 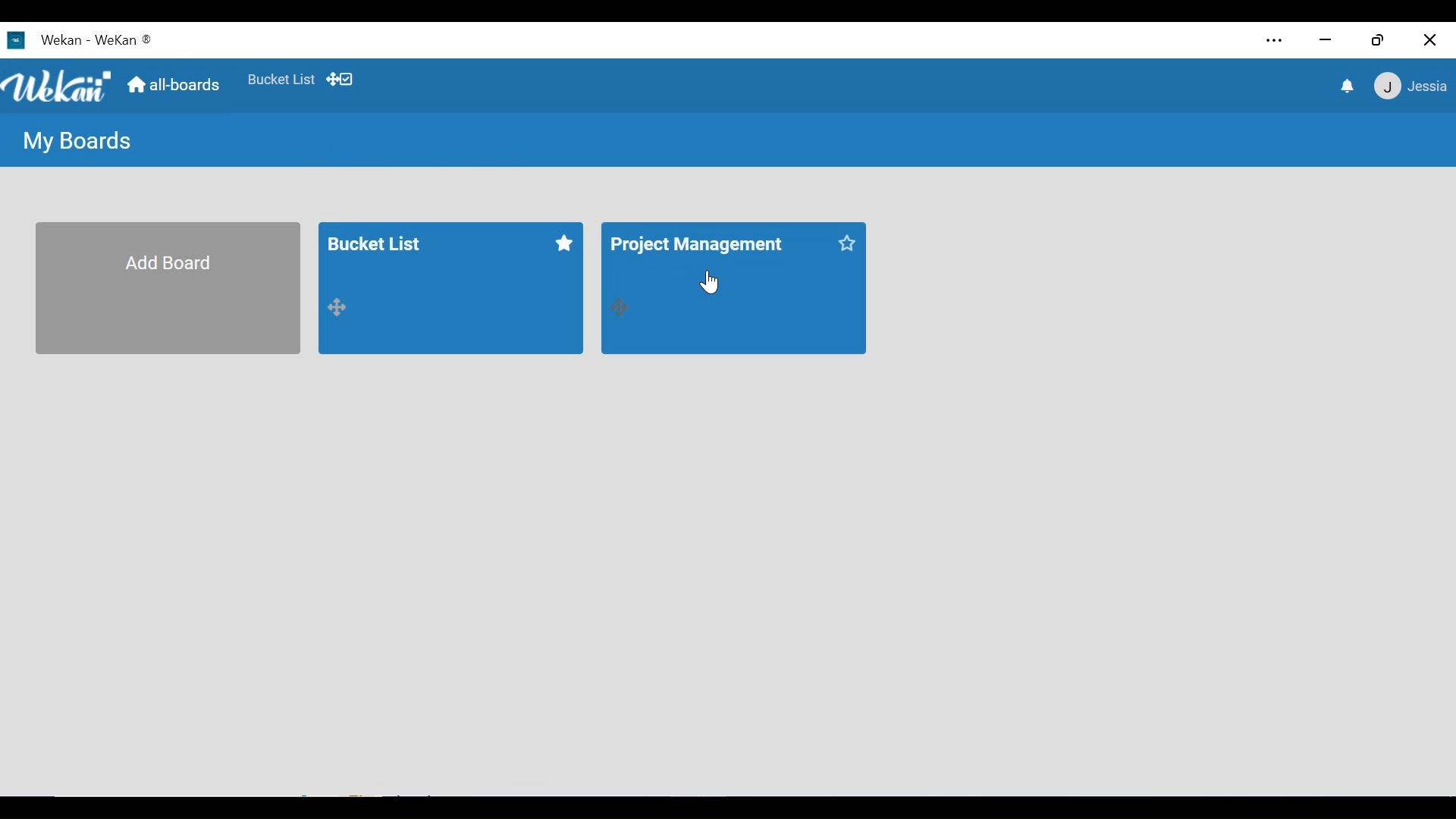 What do you see at coordinates (1428, 41) in the screenshot?
I see `Close` at bounding box center [1428, 41].